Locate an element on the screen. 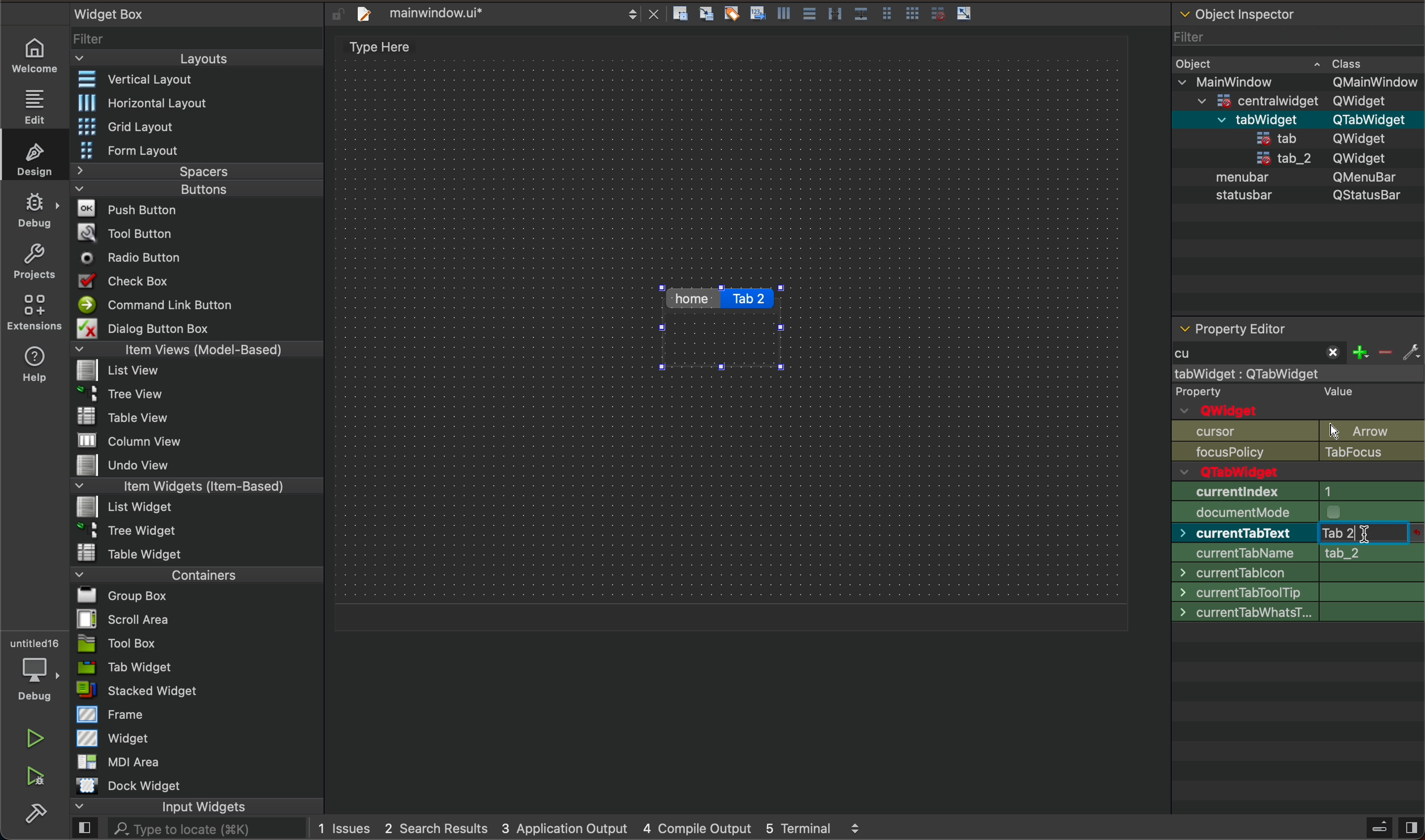 The image size is (1425, 840). typed cu is located at coordinates (1258, 354).